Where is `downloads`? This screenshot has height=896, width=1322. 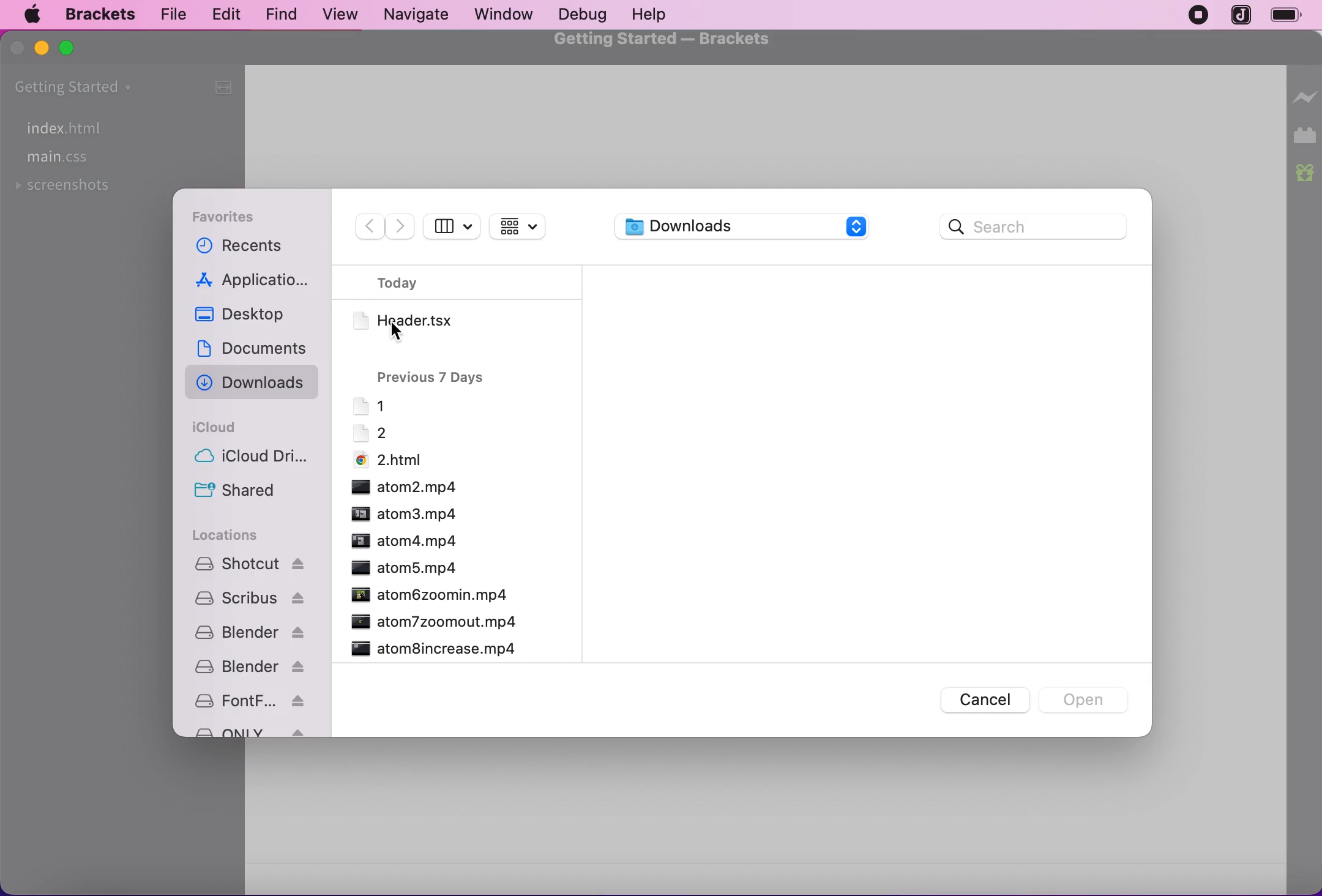 downloads is located at coordinates (746, 226).